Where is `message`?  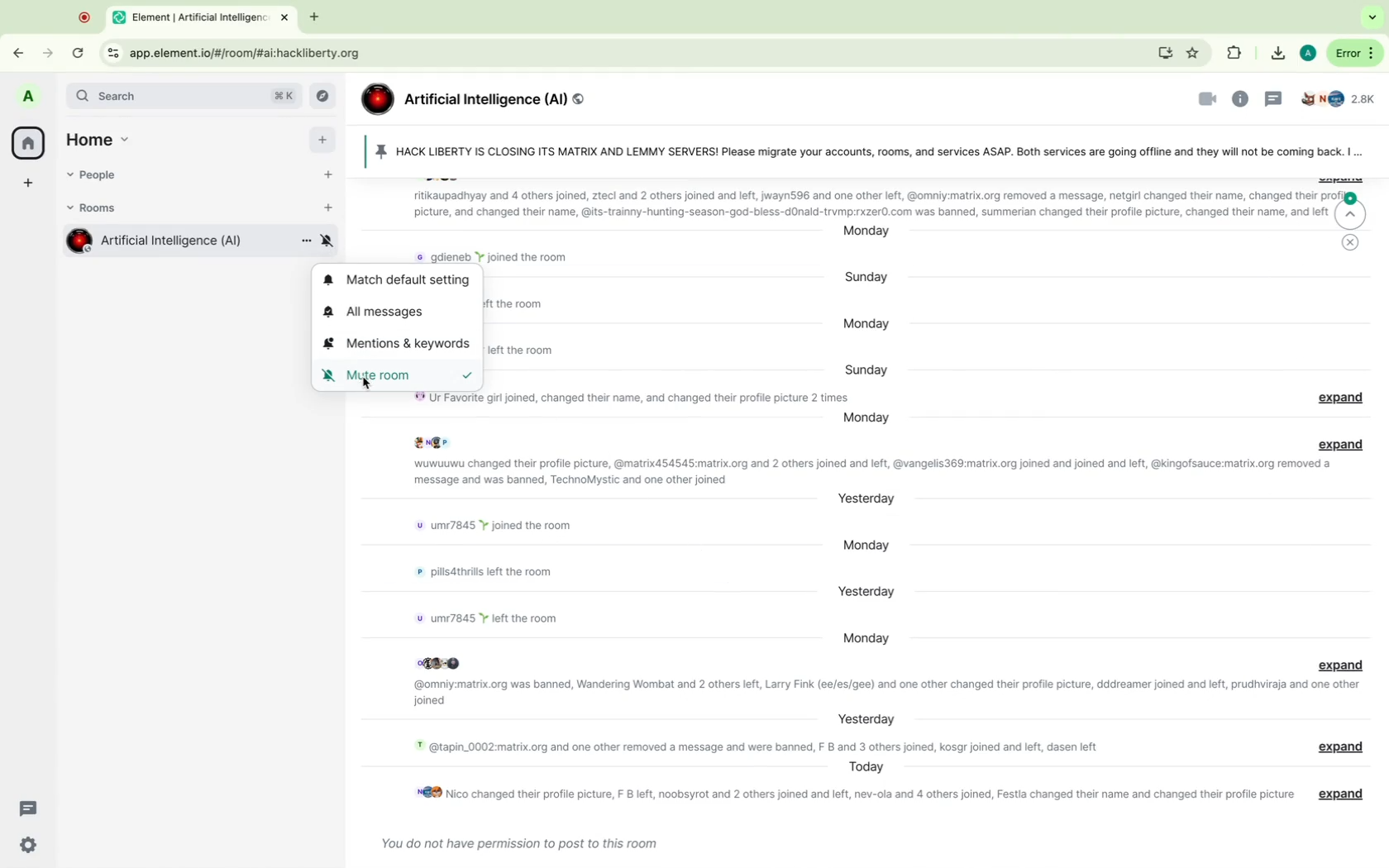 message is located at coordinates (513, 527).